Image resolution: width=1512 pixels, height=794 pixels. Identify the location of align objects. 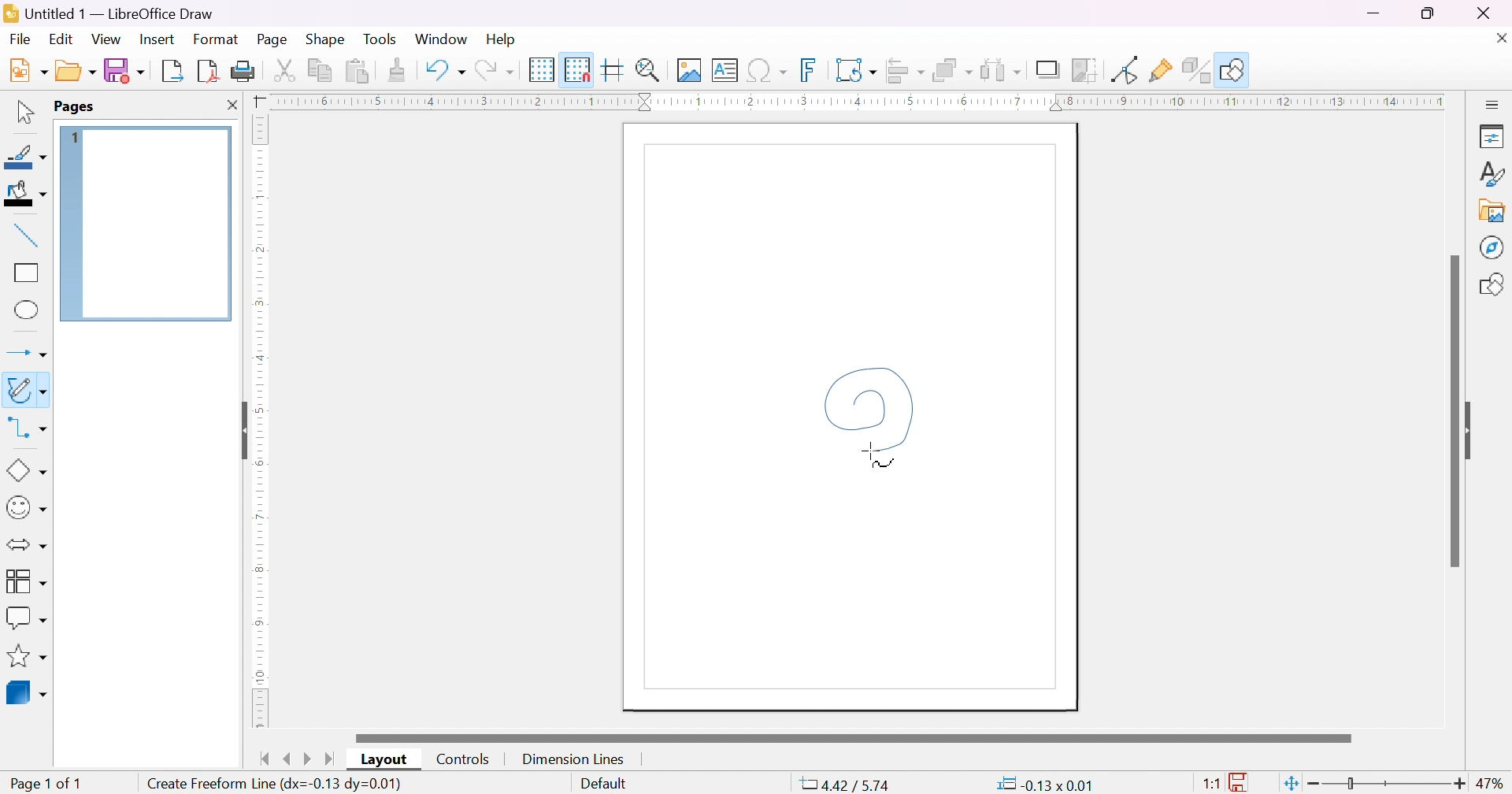
(903, 72).